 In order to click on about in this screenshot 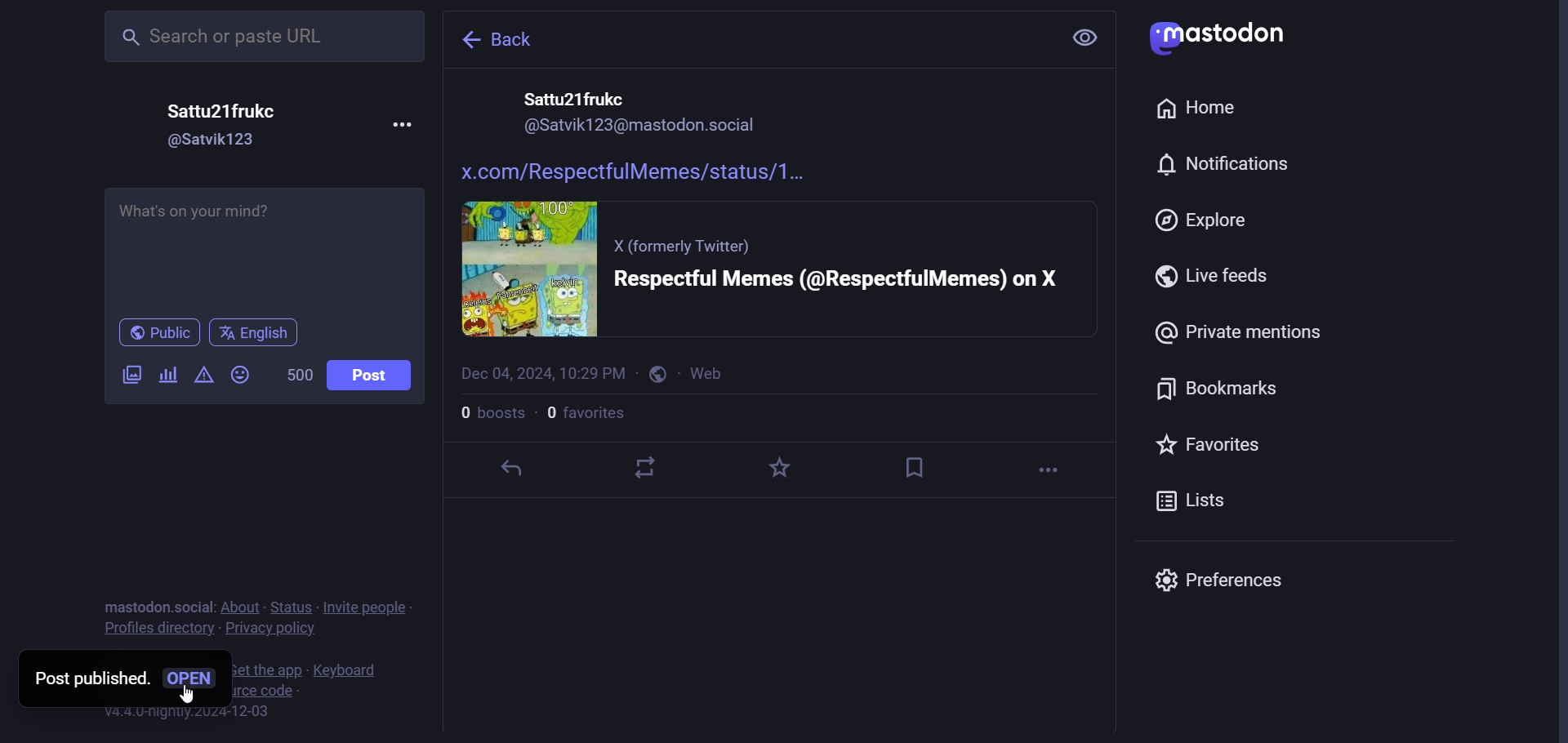, I will do `click(241, 608)`.